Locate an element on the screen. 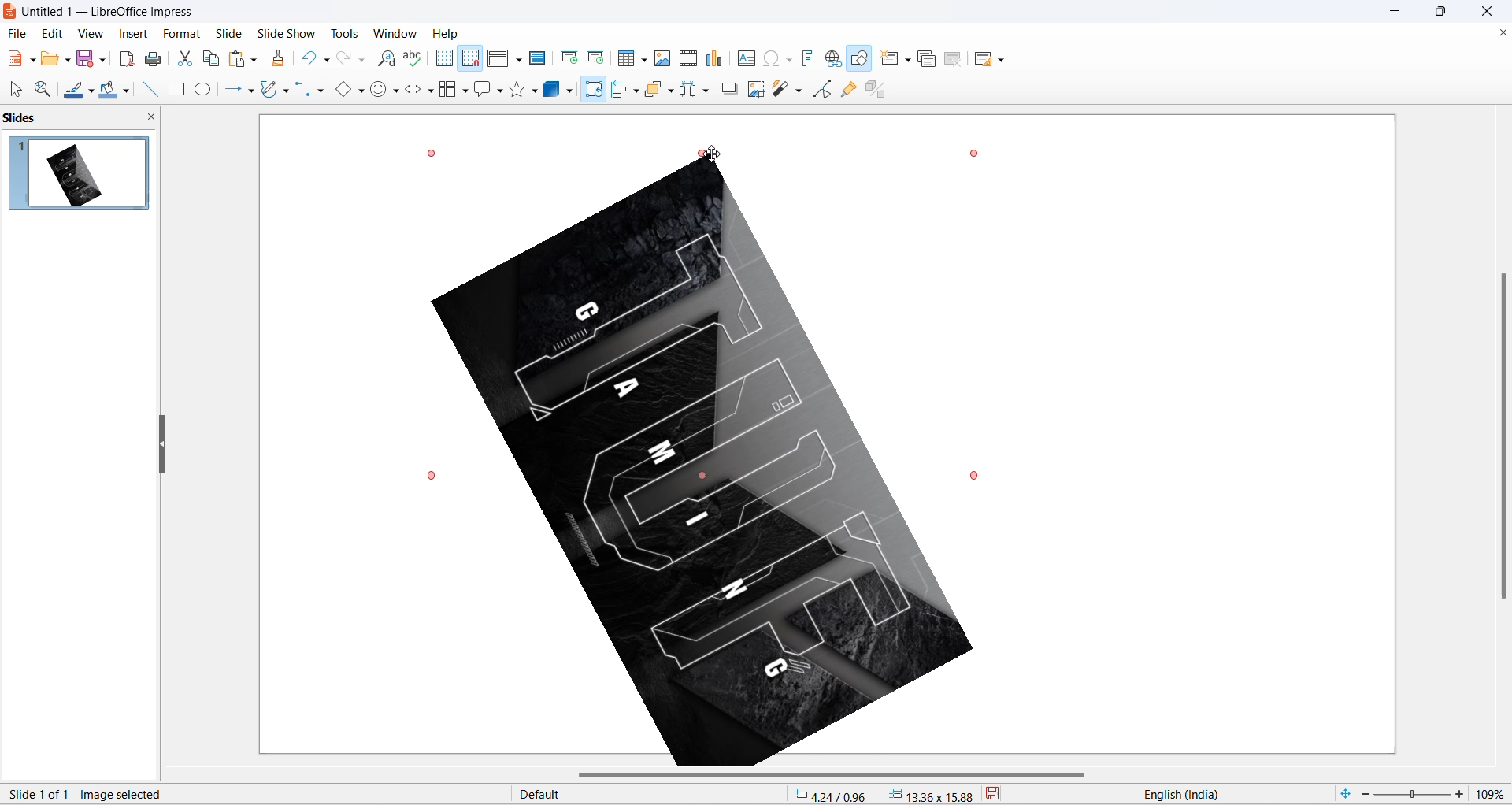 This screenshot has height=805, width=1512. connectors options is located at coordinates (318, 90).